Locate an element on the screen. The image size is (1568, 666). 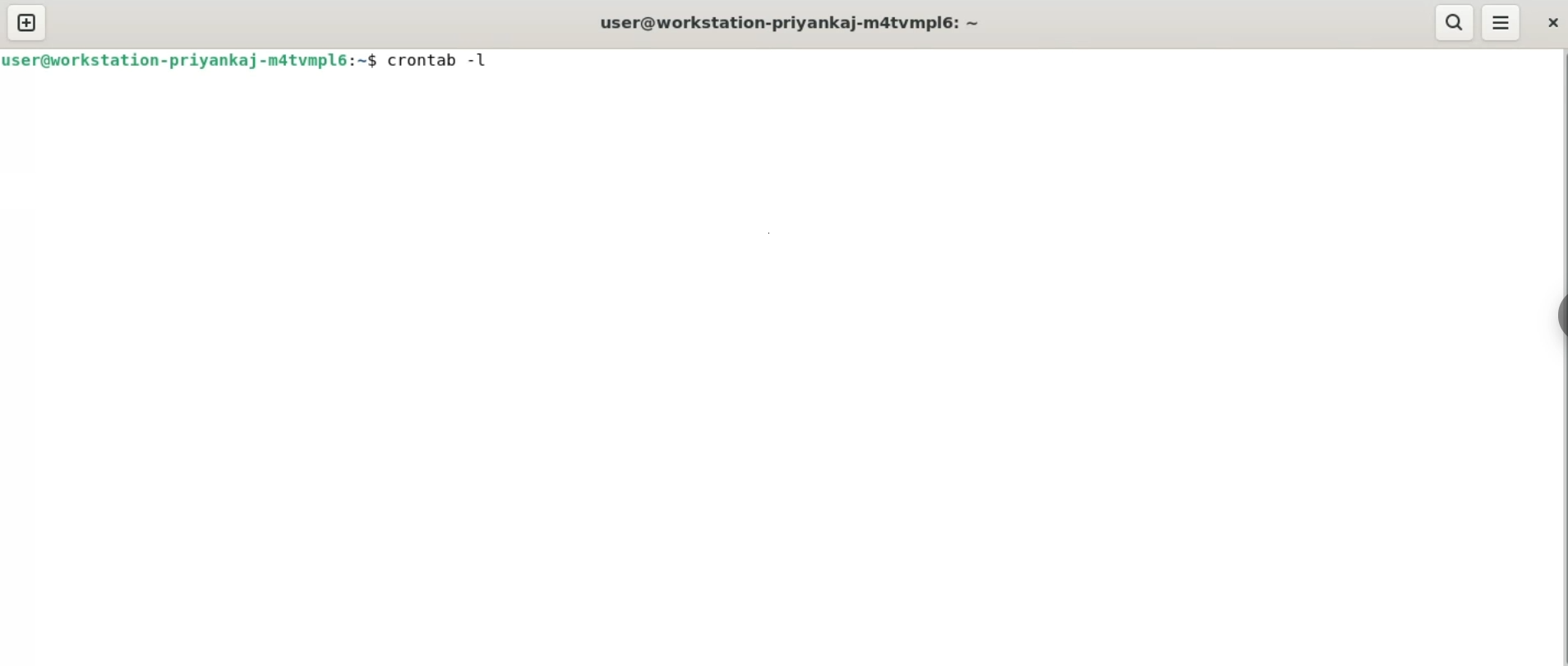
menu is located at coordinates (1511, 23).